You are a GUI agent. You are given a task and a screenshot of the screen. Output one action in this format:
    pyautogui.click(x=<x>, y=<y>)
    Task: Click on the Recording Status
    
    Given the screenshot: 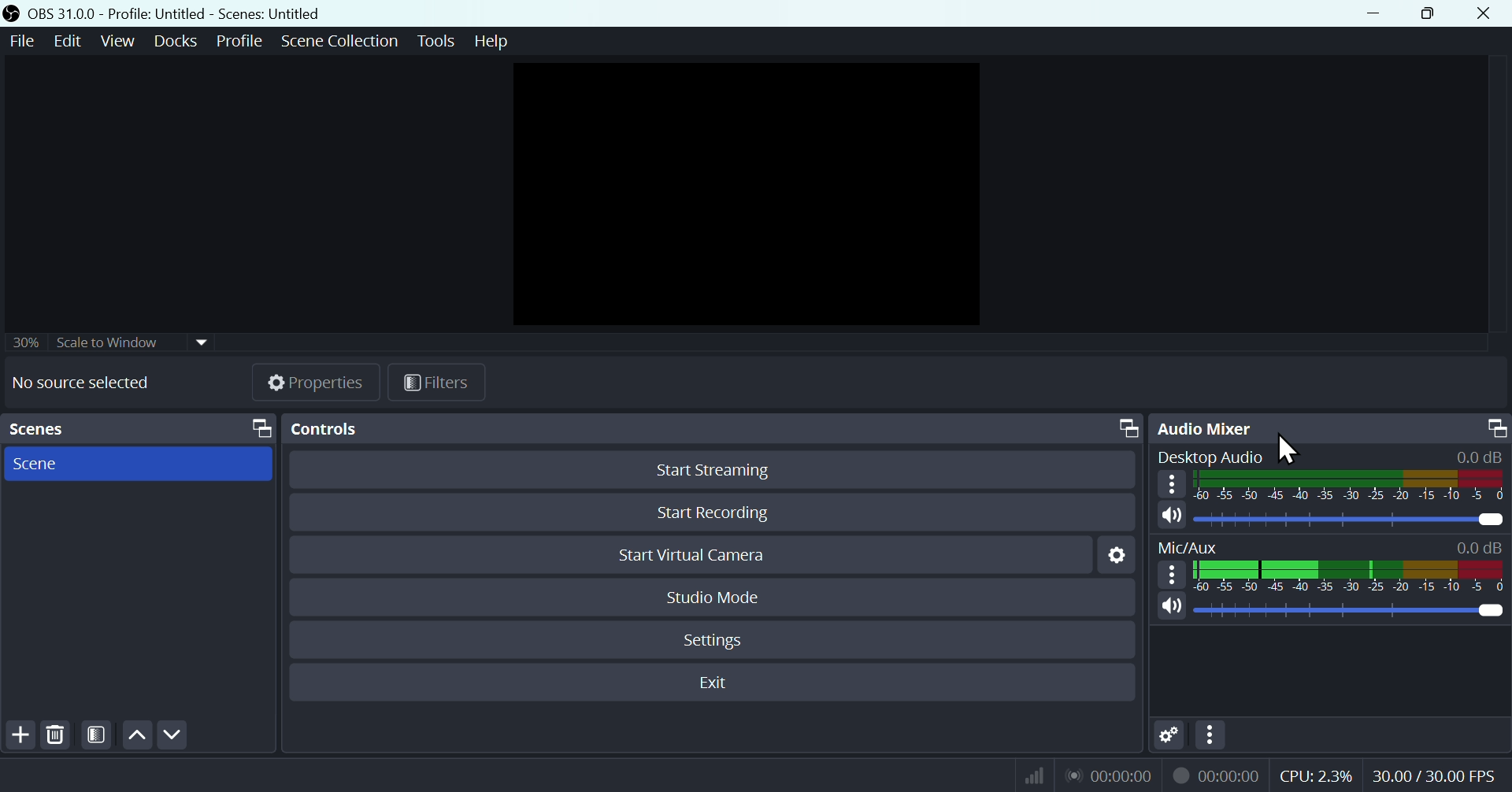 What is the action you would take?
    pyautogui.click(x=1216, y=775)
    